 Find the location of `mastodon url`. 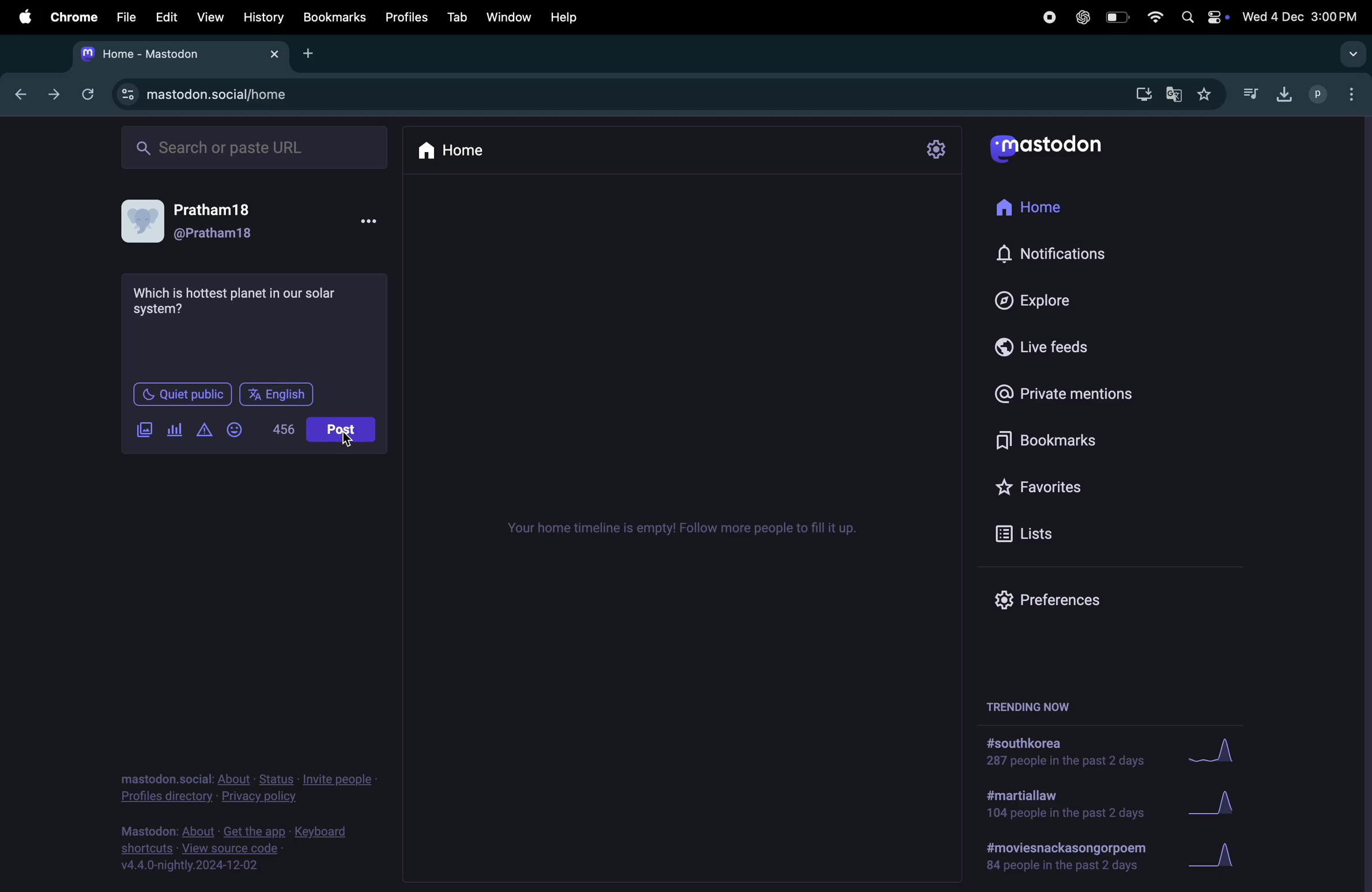

mastodon url is located at coordinates (224, 94).